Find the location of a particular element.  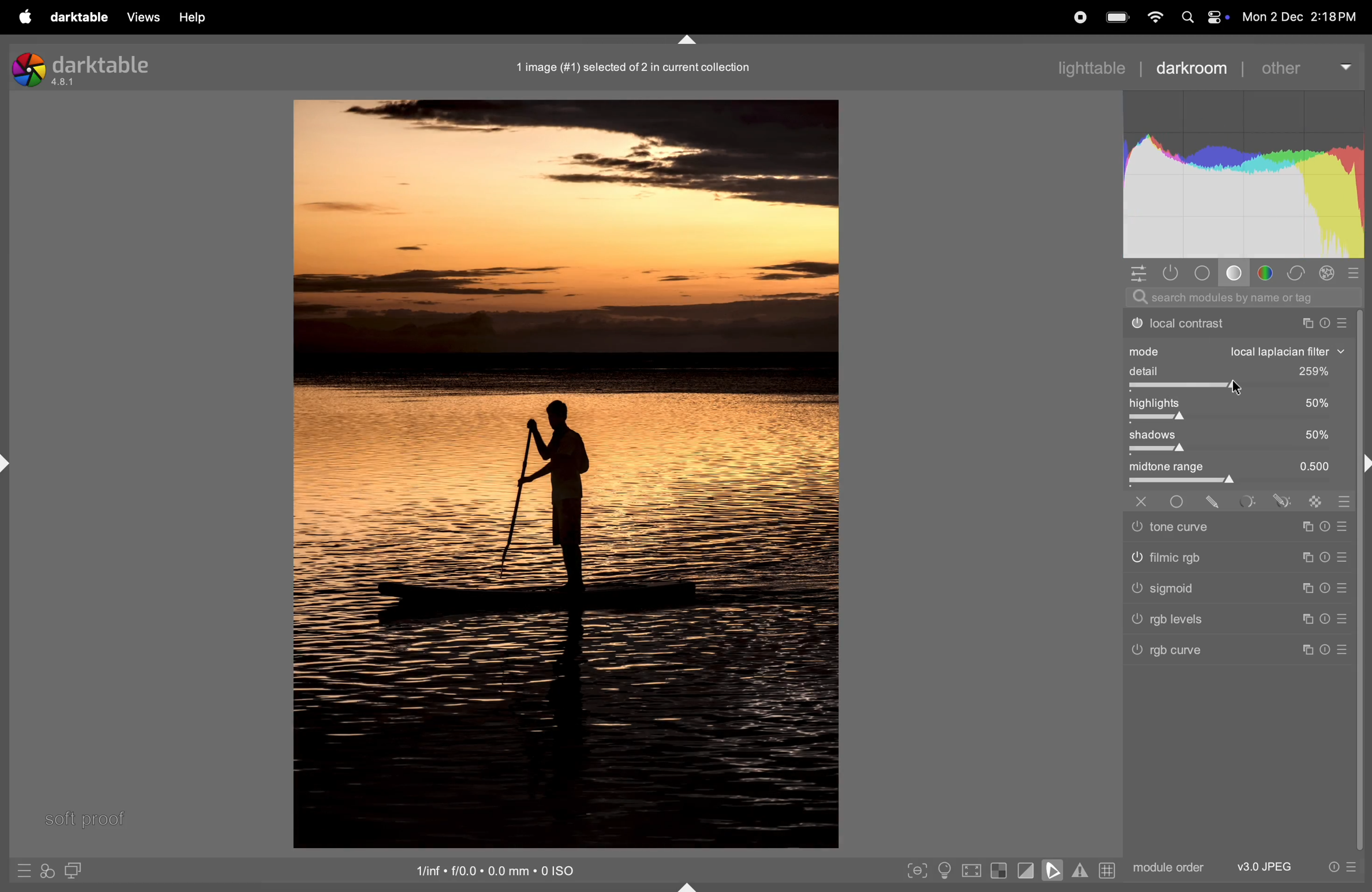

module order is located at coordinates (1166, 867).